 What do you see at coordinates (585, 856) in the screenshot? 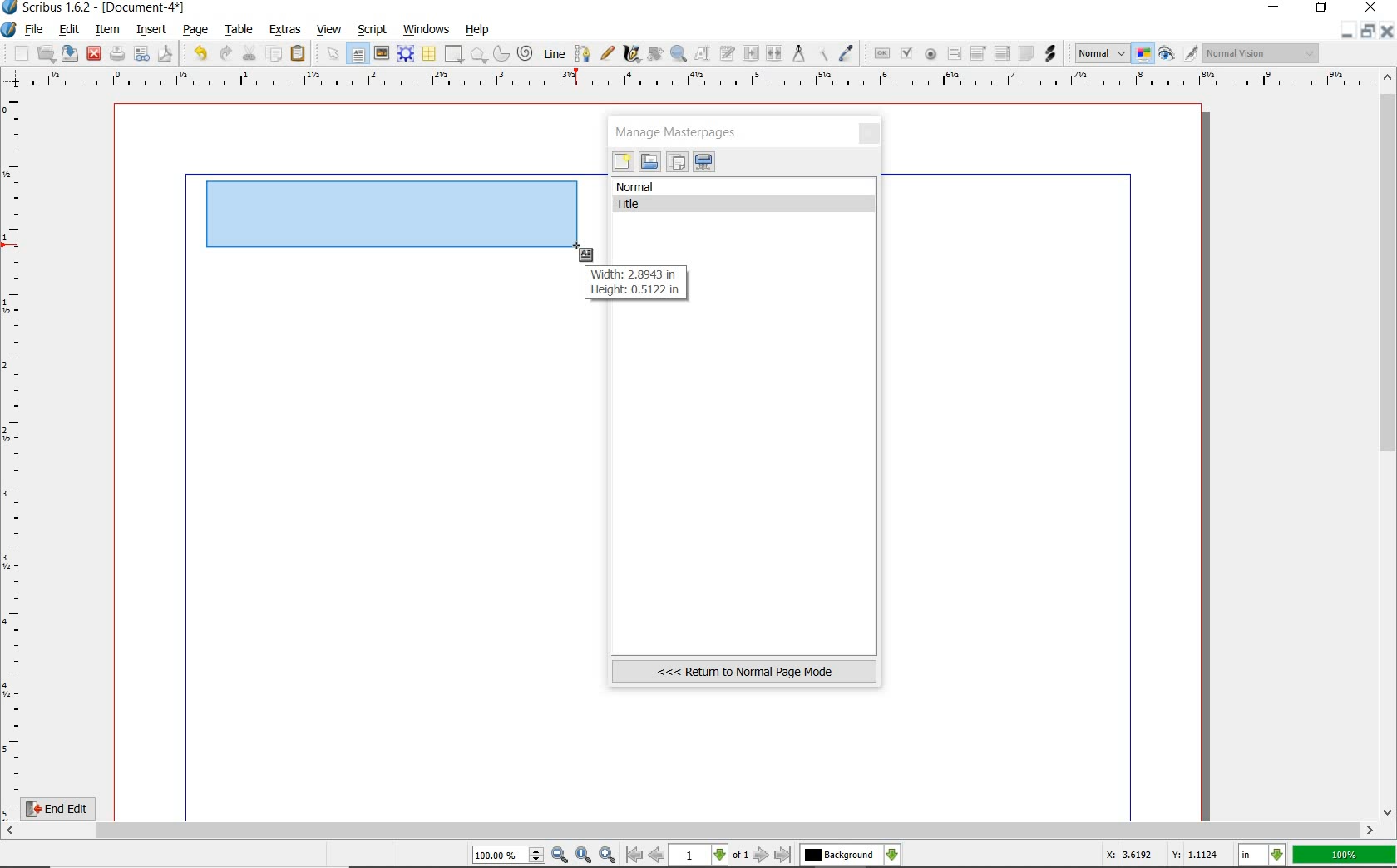
I see `zoom to 100%` at bounding box center [585, 856].